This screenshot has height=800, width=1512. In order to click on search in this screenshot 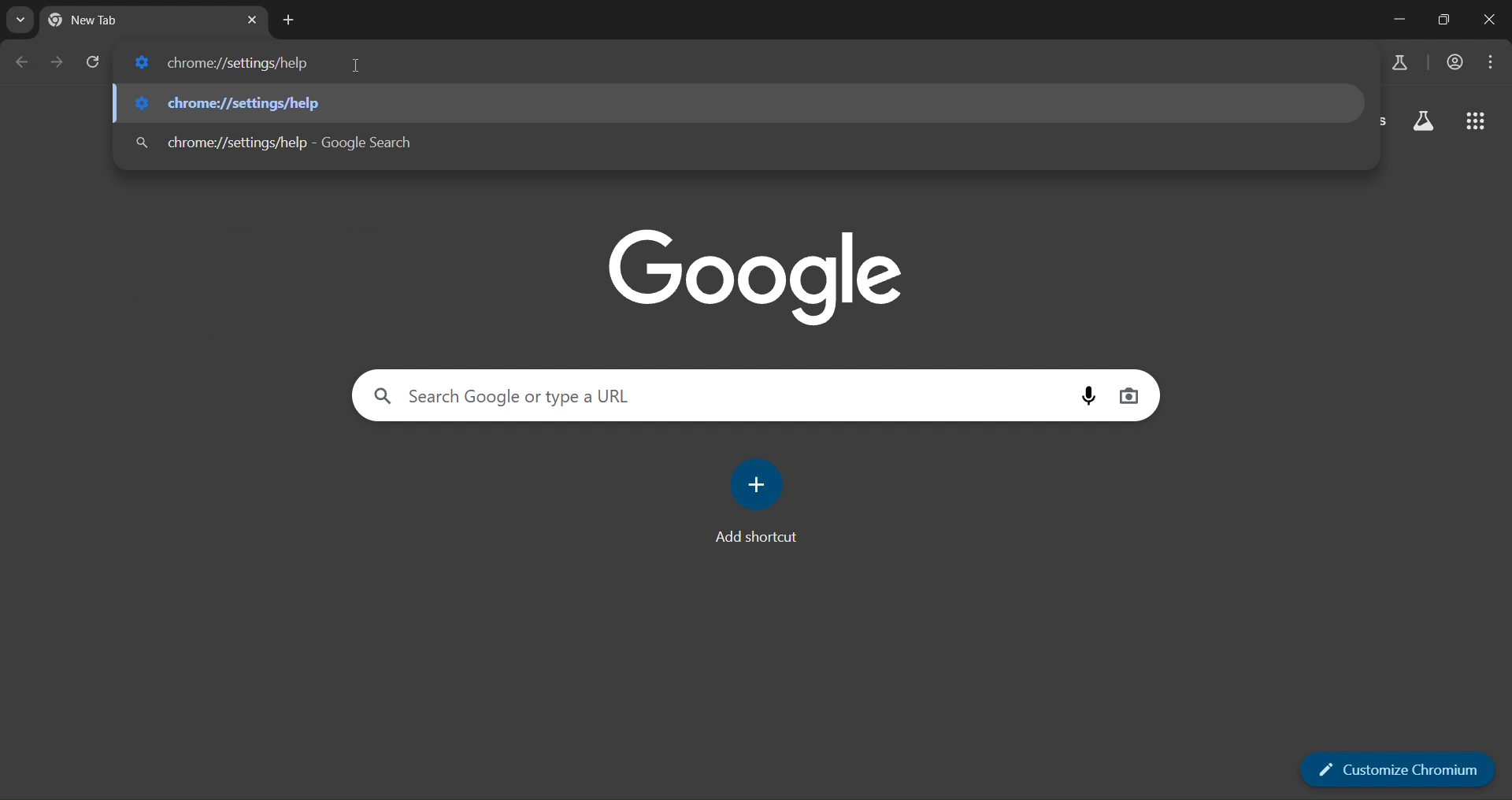, I will do `click(567, 396)`.